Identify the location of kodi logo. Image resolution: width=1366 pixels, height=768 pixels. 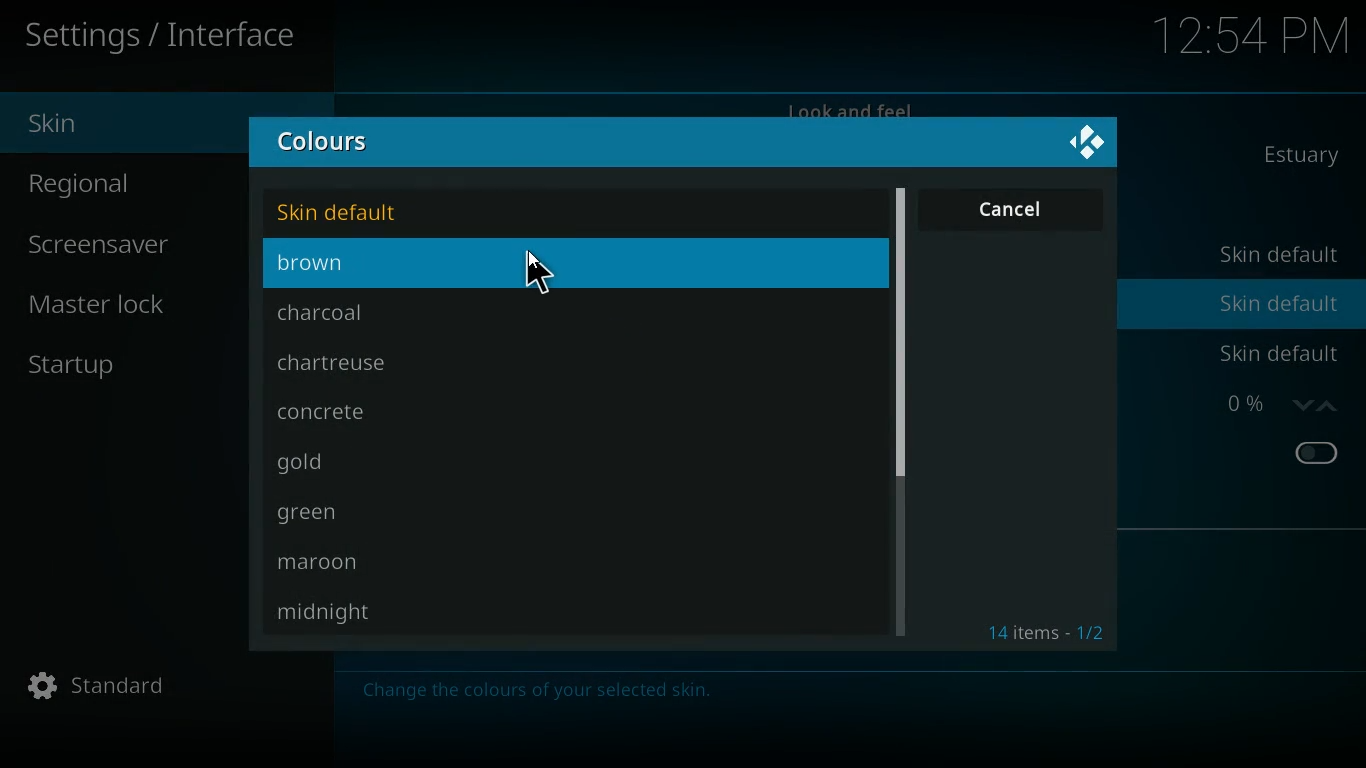
(1085, 143).